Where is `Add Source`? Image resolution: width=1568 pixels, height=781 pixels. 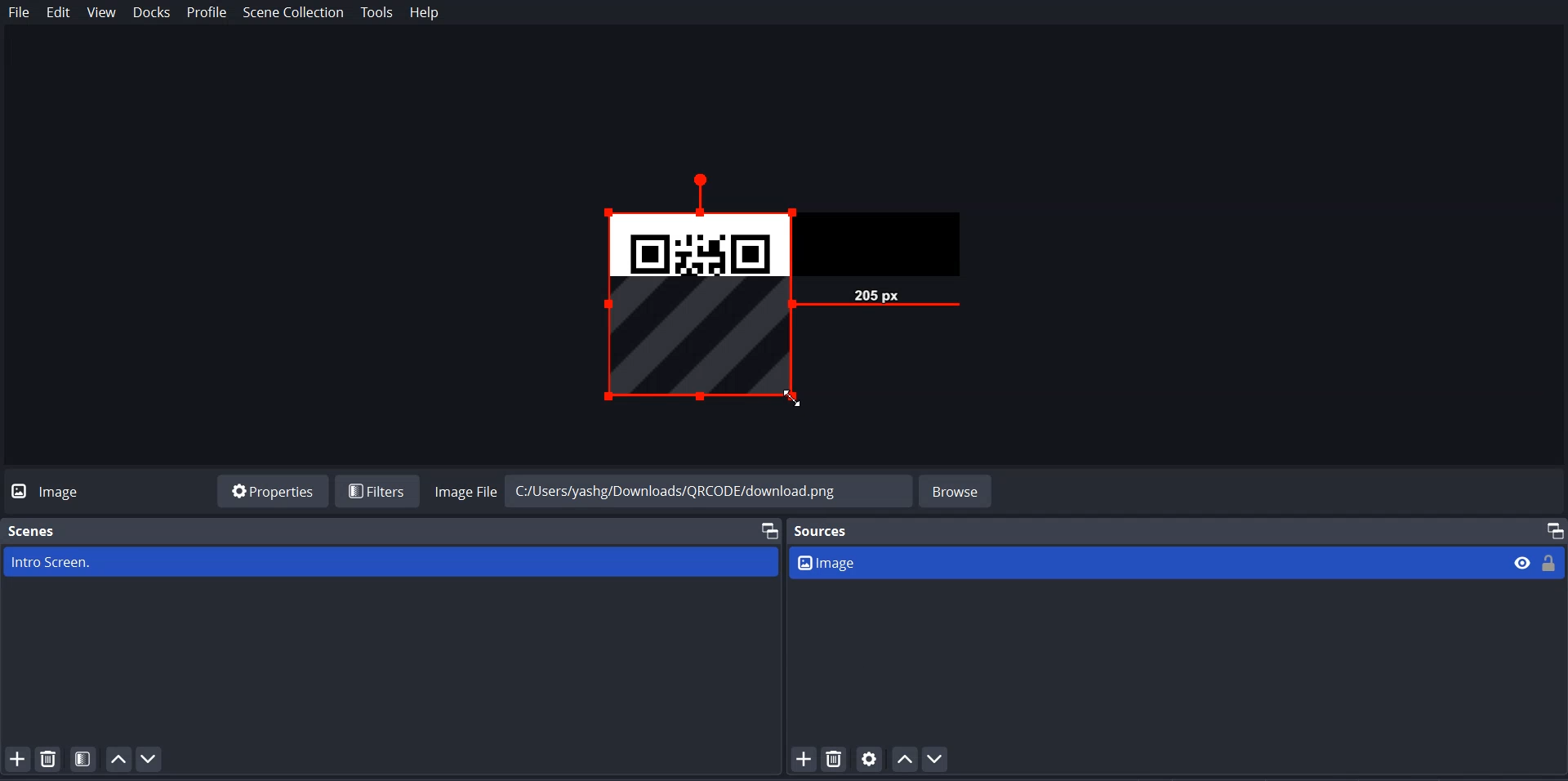
Add Source is located at coordinates (803, 759).